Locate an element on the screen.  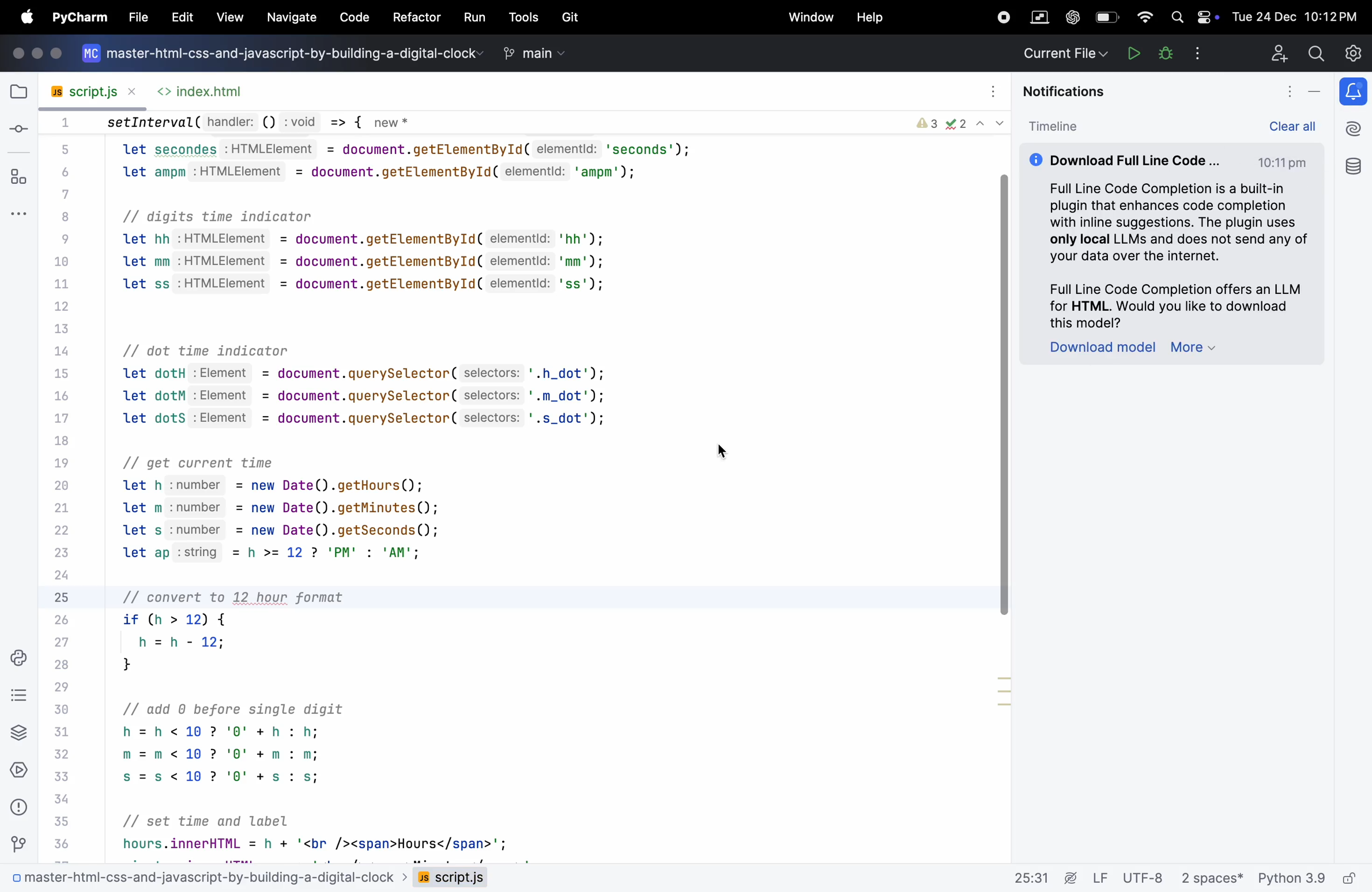
 master-html-css-and-javascript-by-building-a-digital-clock is located at coordinates (205, 879).